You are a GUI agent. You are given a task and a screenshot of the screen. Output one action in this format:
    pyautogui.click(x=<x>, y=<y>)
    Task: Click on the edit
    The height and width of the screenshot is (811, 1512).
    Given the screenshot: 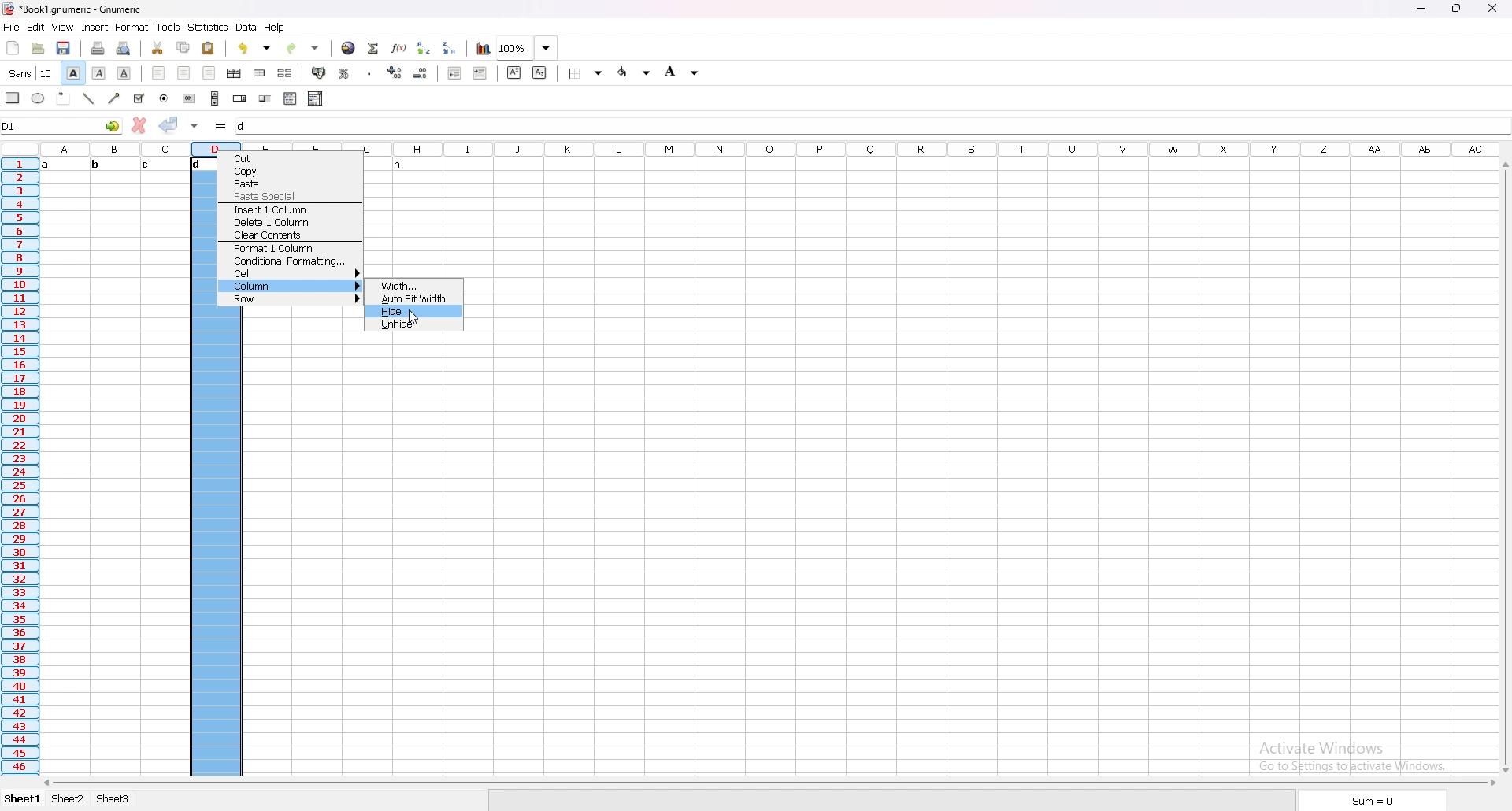 What is the action you would take?
    pyautogui.click(x=35, y=27)
    